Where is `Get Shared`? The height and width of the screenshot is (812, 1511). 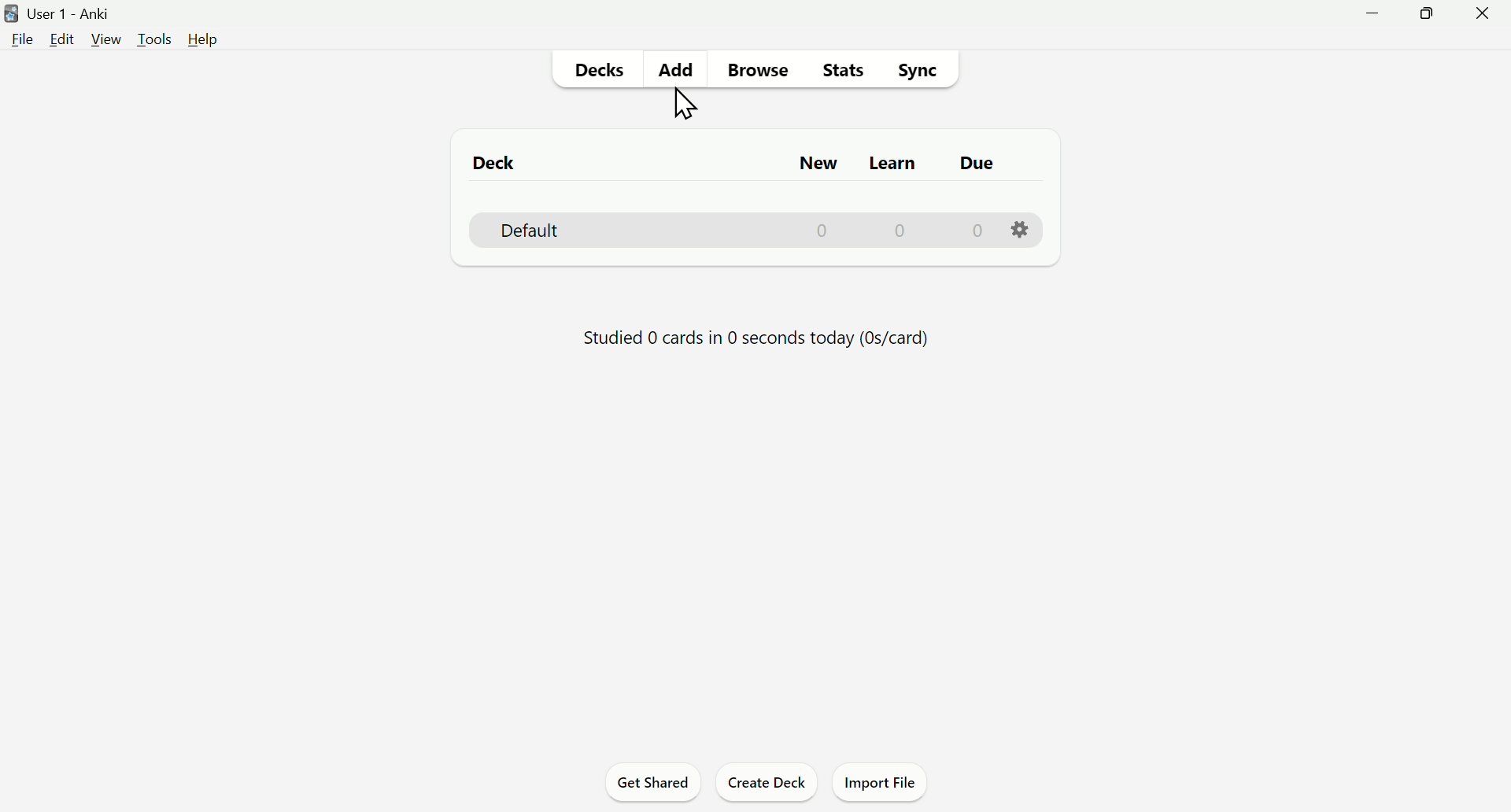 Get Shared is located at coordinates (654, 784).